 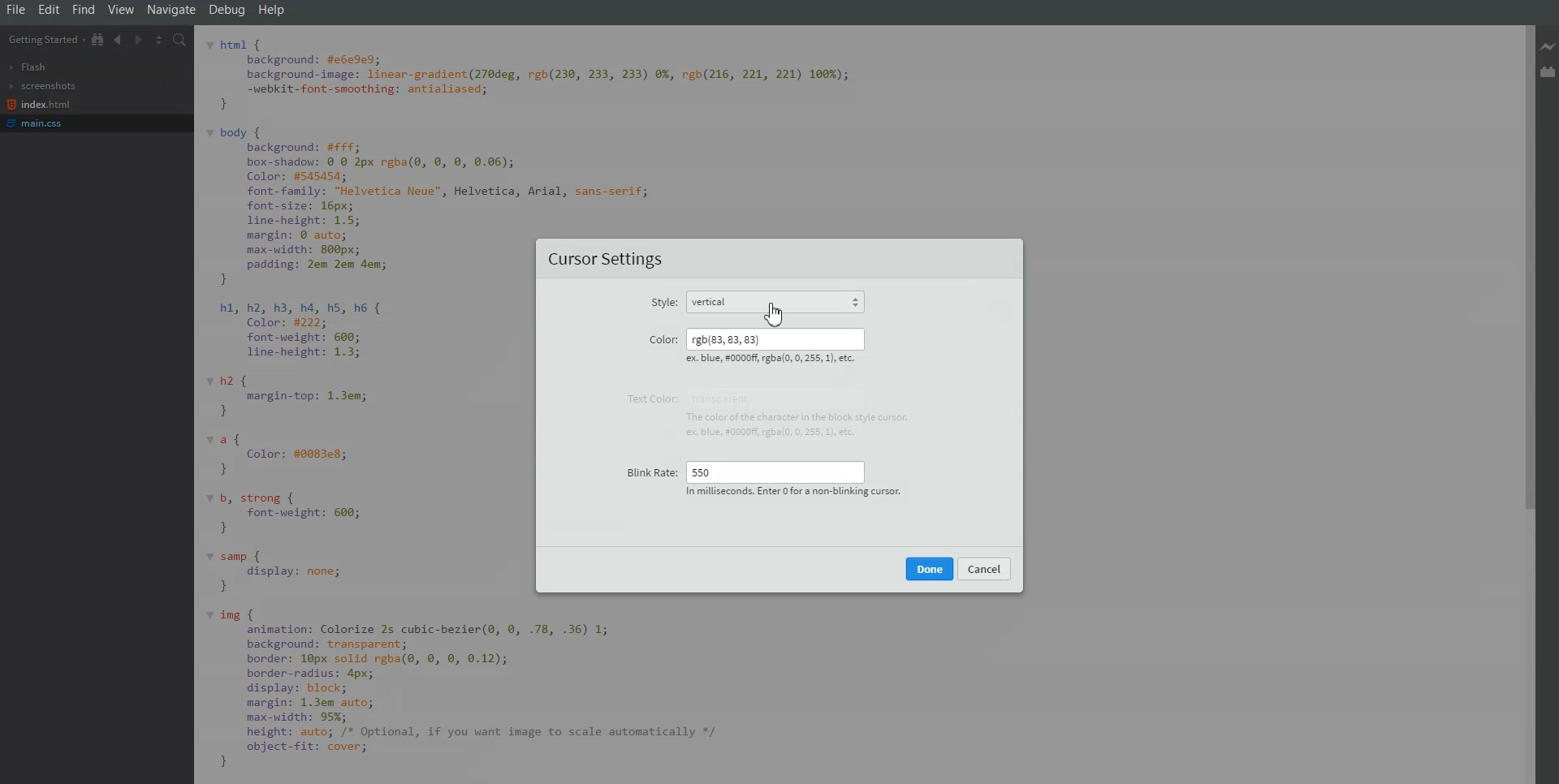 What do you see at coordinates (50, 10) in the screenshot?
I see `Edit` at bounding box center [50, 10].